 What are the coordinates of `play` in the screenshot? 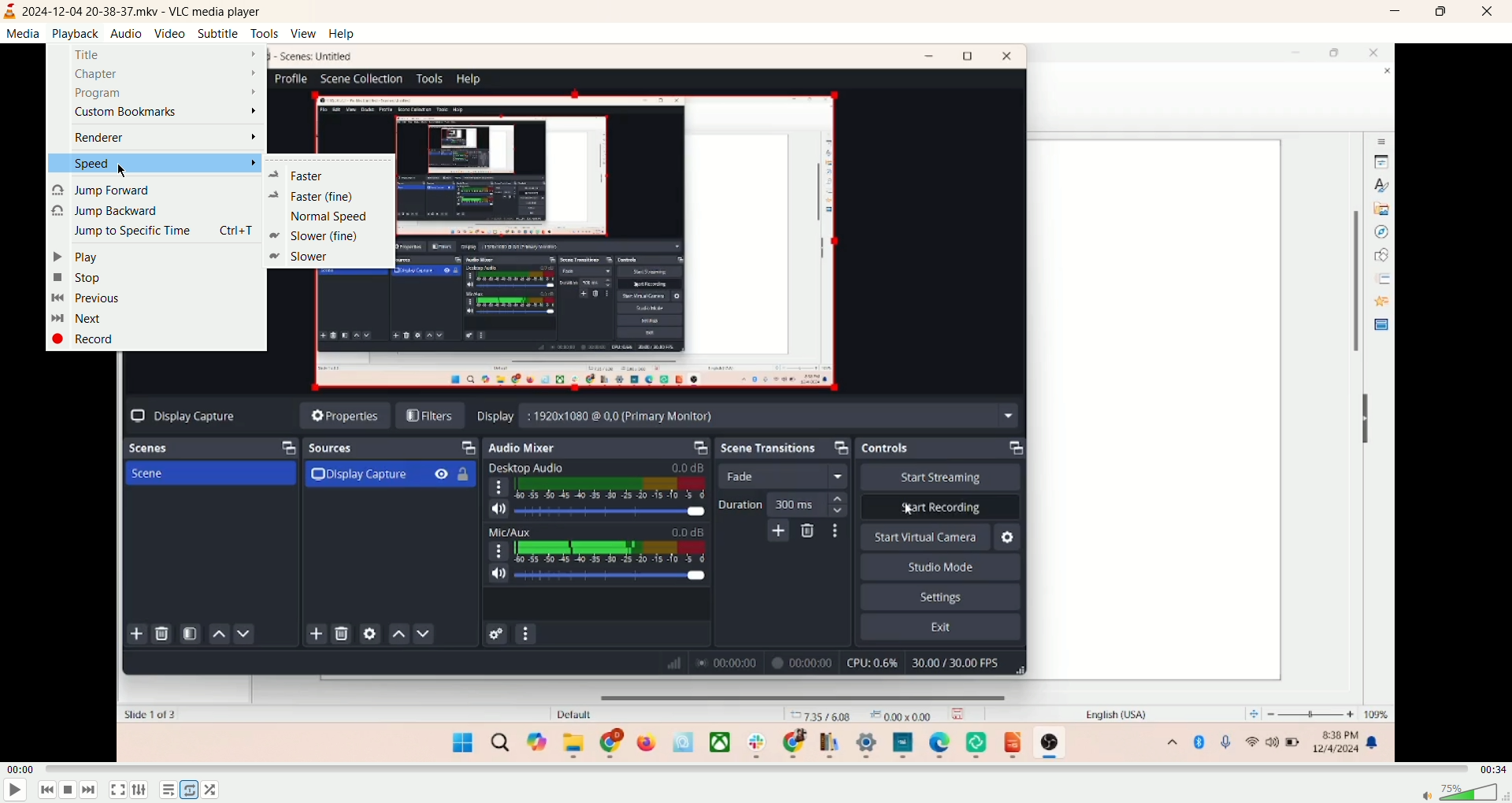 It's located at (74, 257).